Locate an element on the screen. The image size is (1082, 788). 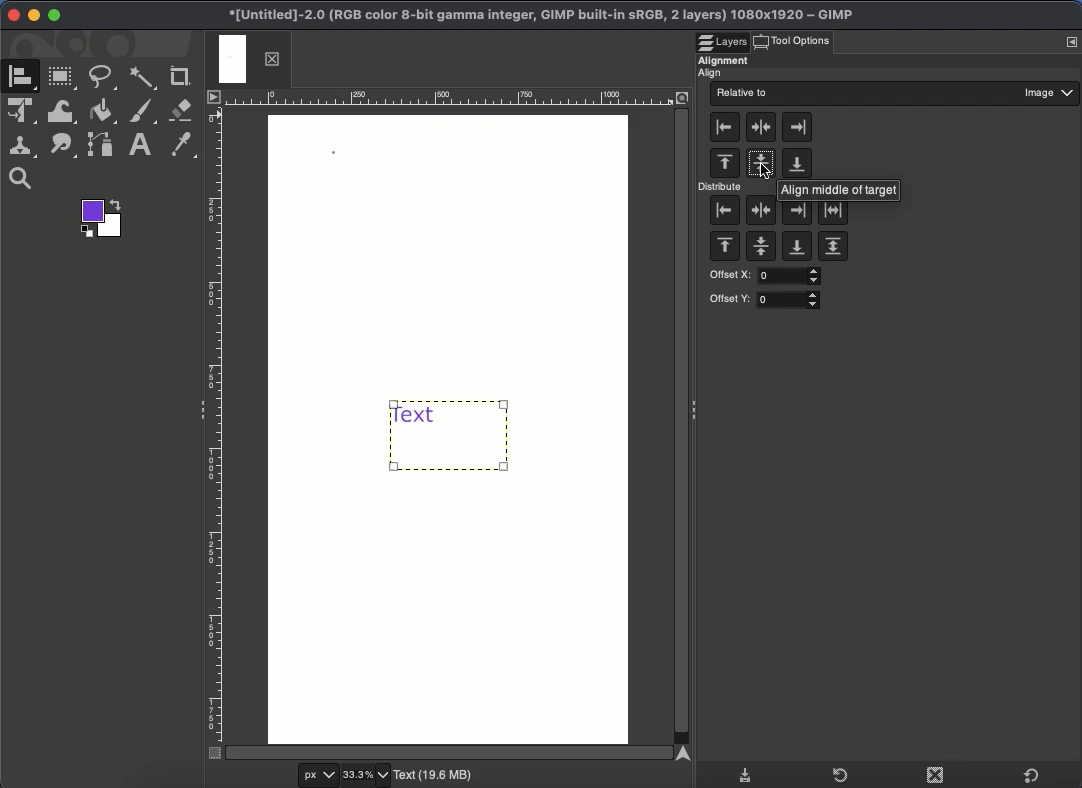
Color picker is located at coordinates (185, 146).